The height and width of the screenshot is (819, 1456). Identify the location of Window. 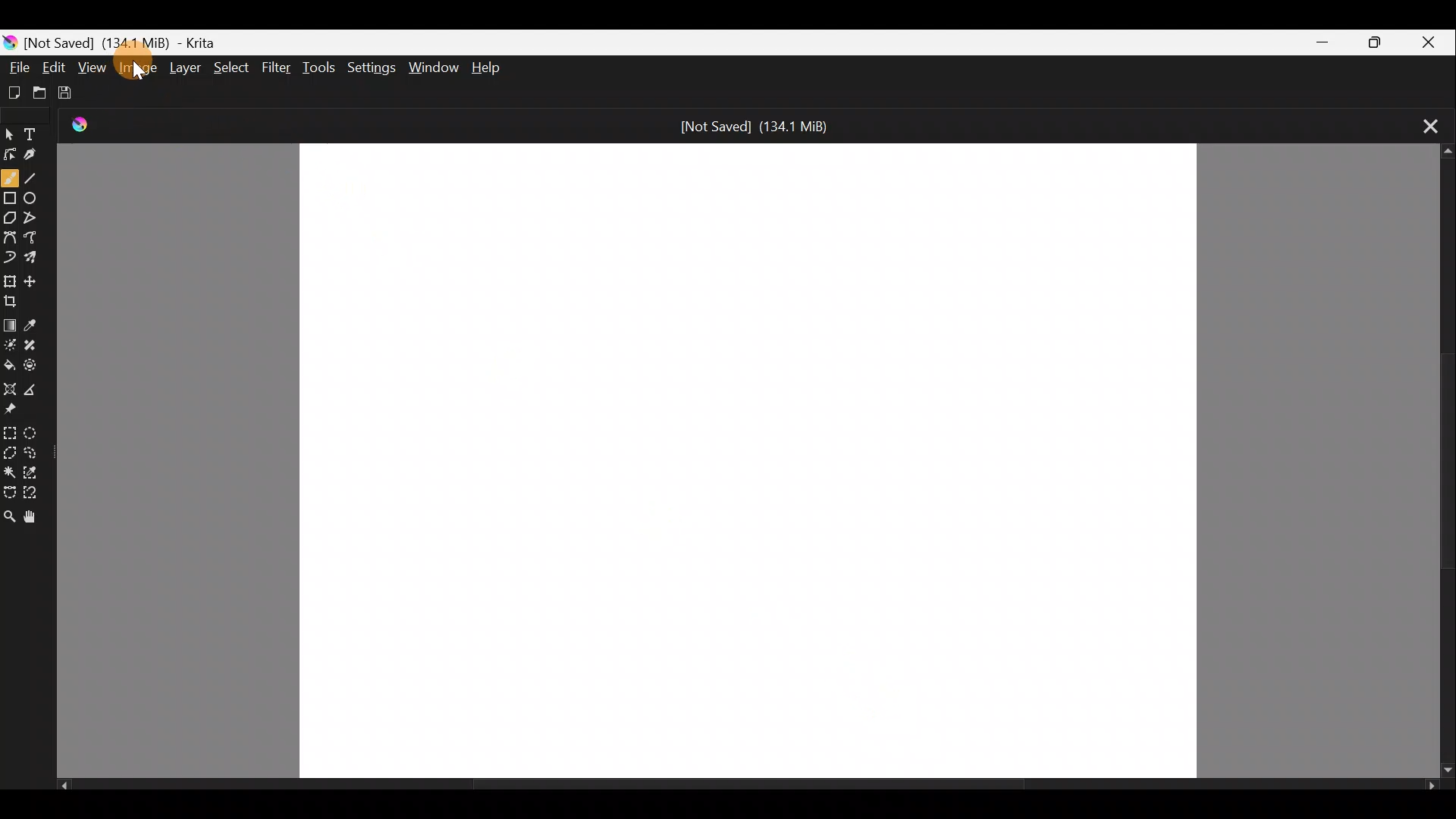
(433, 65).